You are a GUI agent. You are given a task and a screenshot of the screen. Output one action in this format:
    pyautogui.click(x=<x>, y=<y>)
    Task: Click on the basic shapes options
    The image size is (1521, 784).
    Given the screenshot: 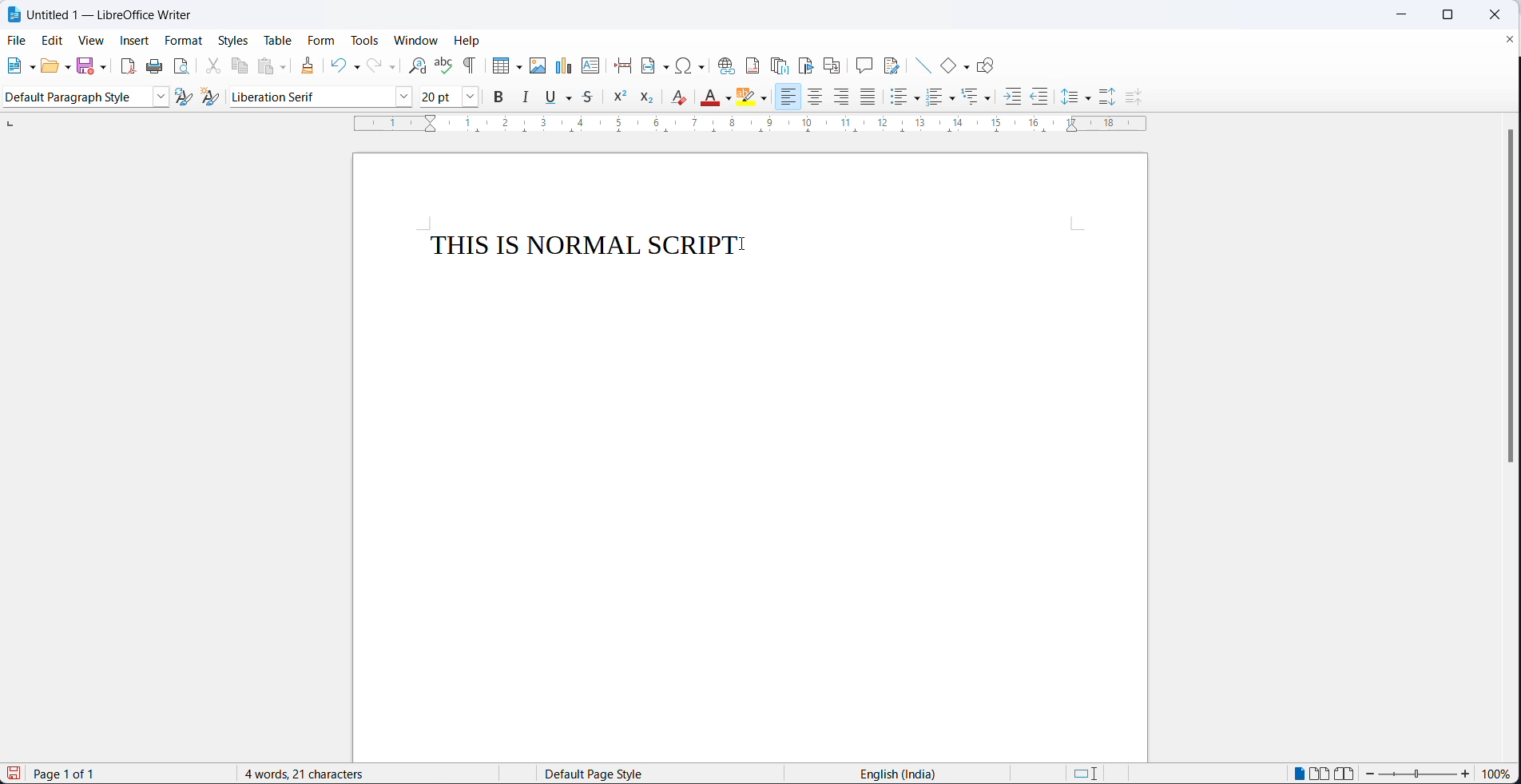 What is the action you would take?
    pyautogui.click(x=964, y=65)
    